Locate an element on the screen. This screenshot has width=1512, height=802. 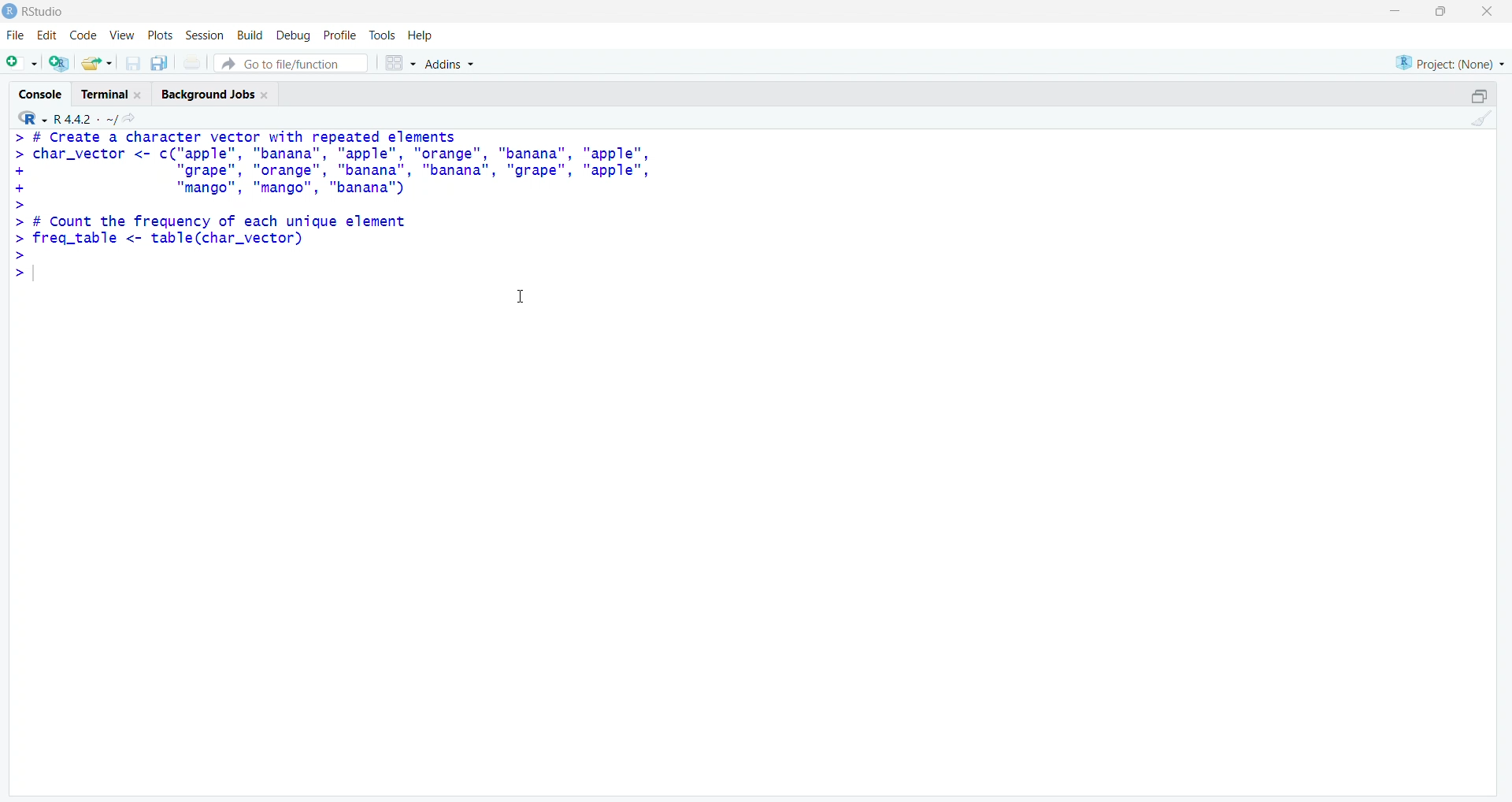
Open an existing file (Ctrl + O) is located at coordinates (97, 64).